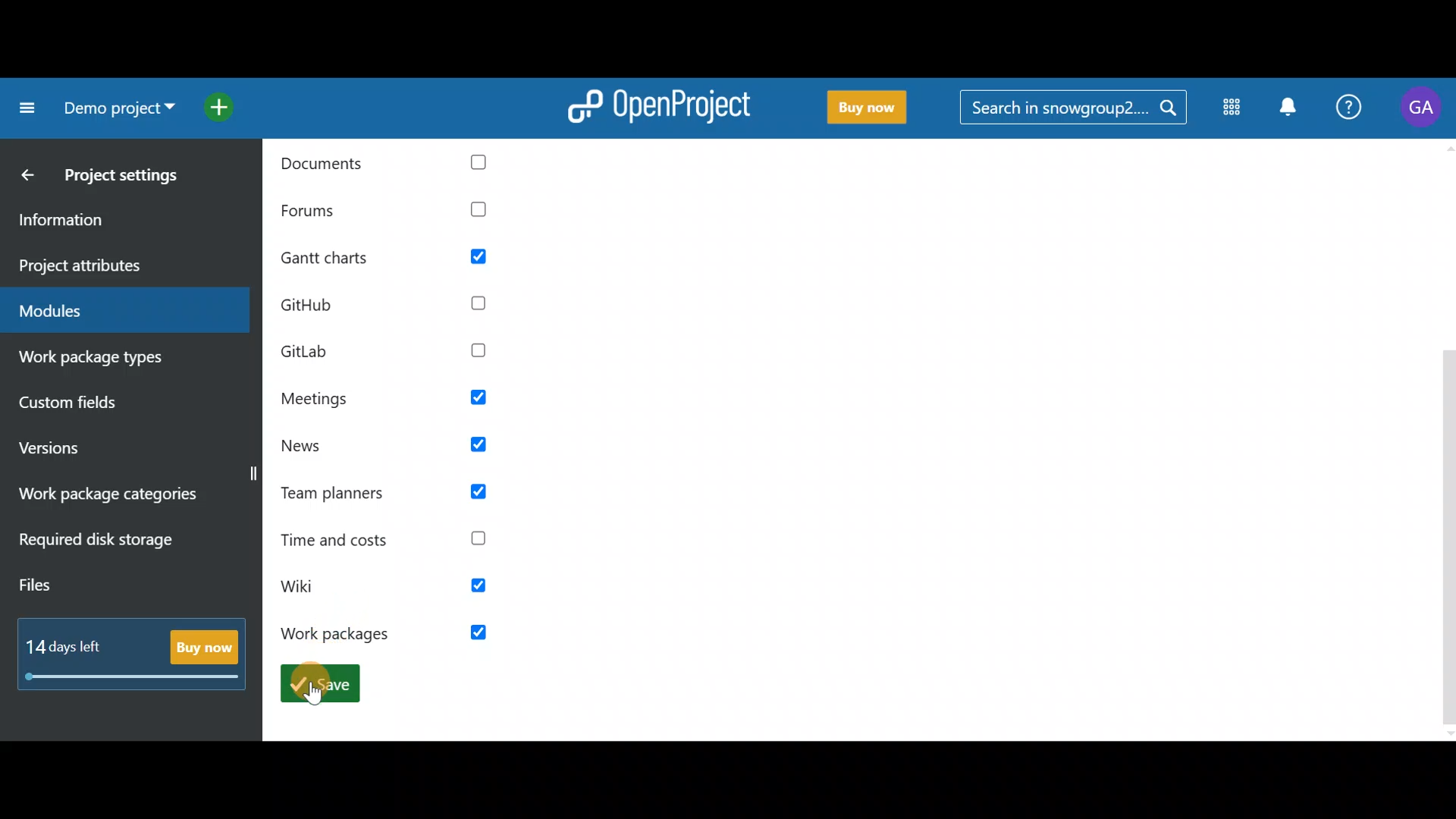  I want to click on Meetings, so click(387, 399).